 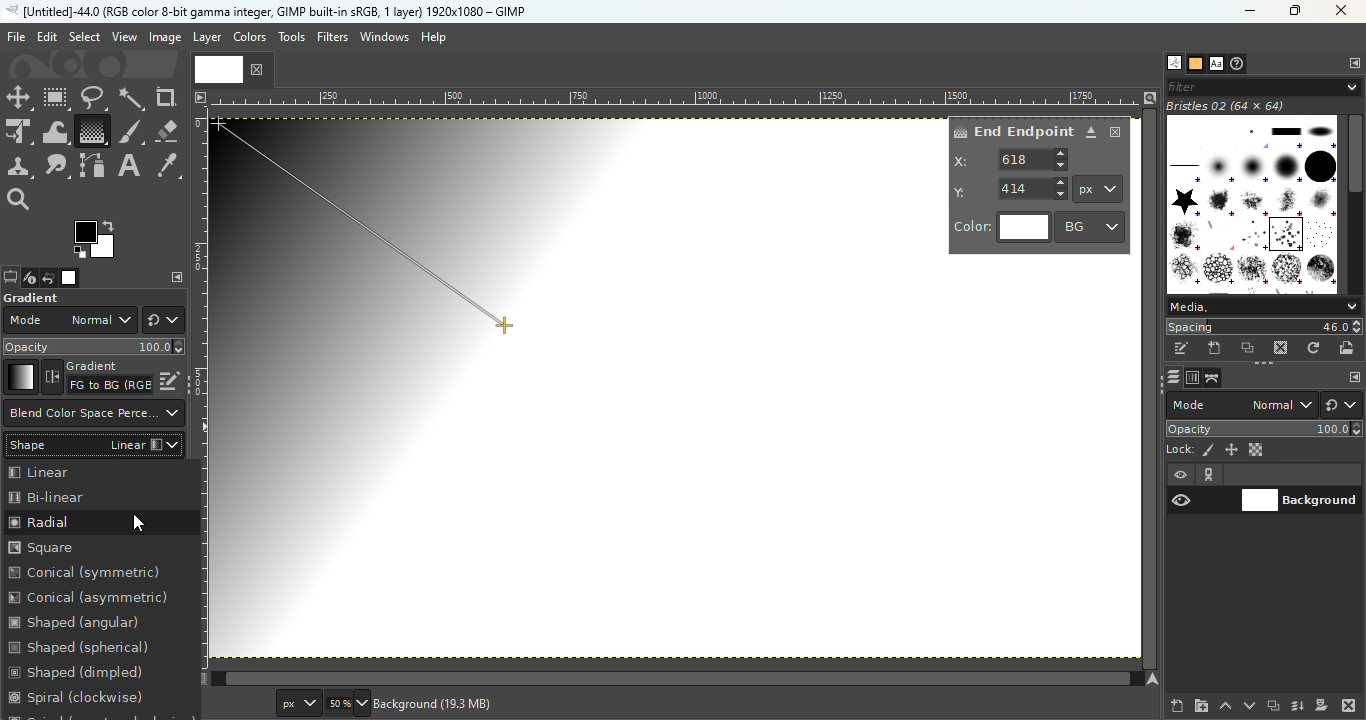 I want to click on File, so click(x=16, y=37).